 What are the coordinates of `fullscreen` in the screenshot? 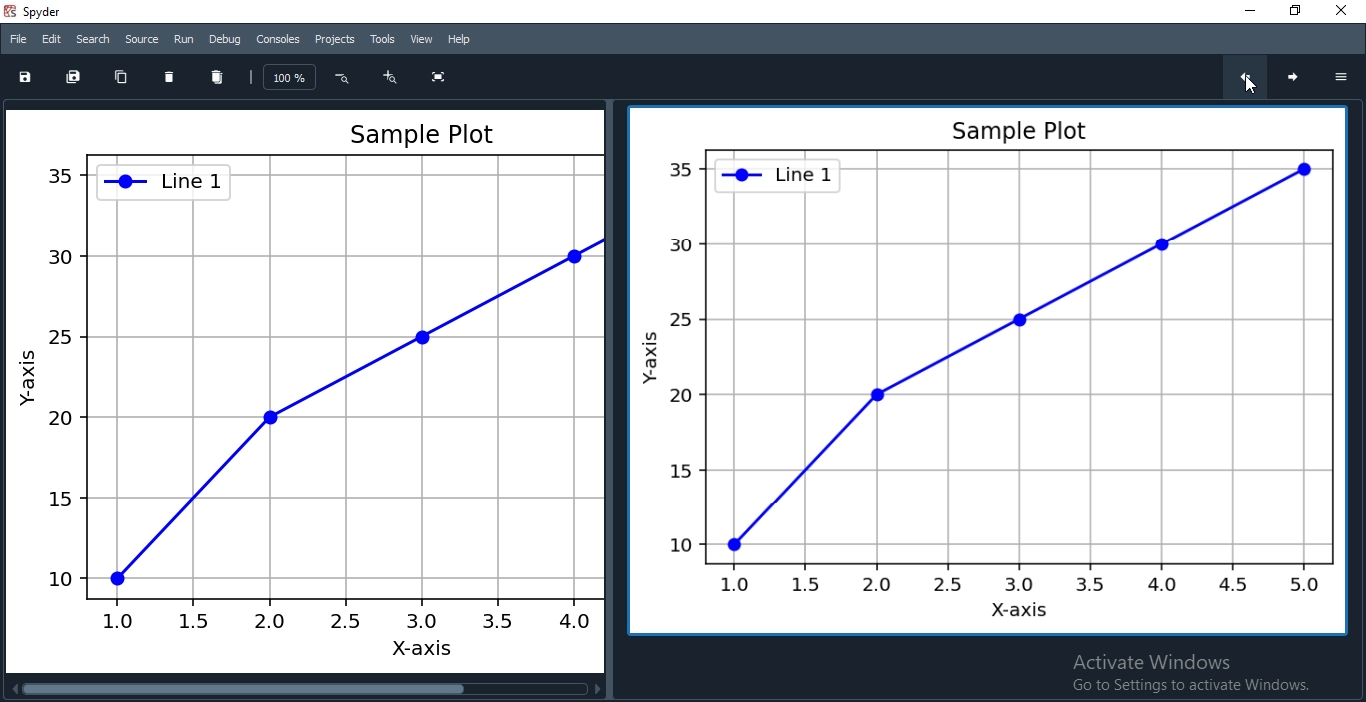 It's located at (435, 78).